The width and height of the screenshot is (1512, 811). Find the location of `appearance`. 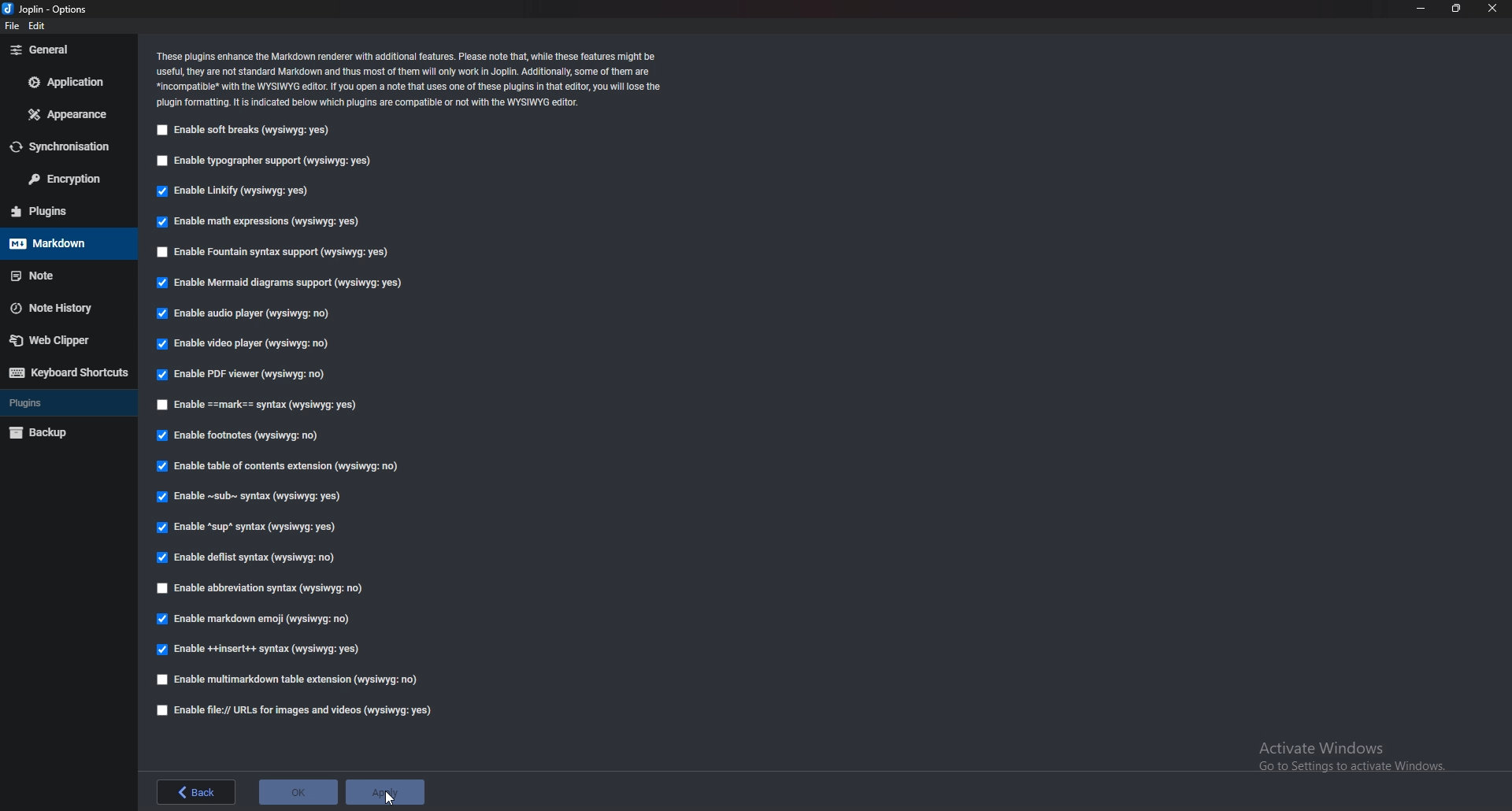

appearance is located at coordinates (65, 116).